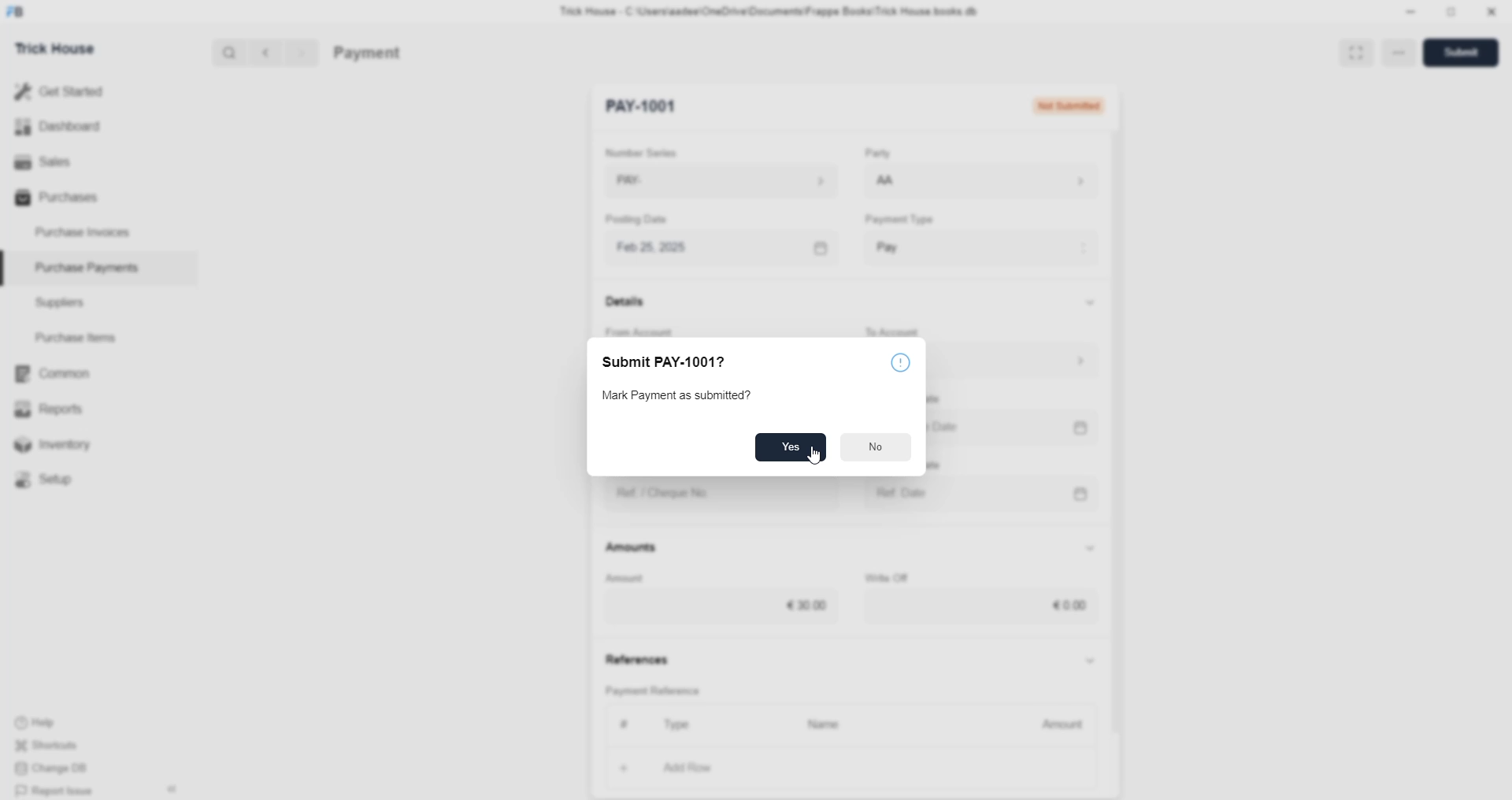 The image size is (1512, 800). Describe the element at coordinates (80, 335) in the screenshot. I see `Purchase Items` at that location.